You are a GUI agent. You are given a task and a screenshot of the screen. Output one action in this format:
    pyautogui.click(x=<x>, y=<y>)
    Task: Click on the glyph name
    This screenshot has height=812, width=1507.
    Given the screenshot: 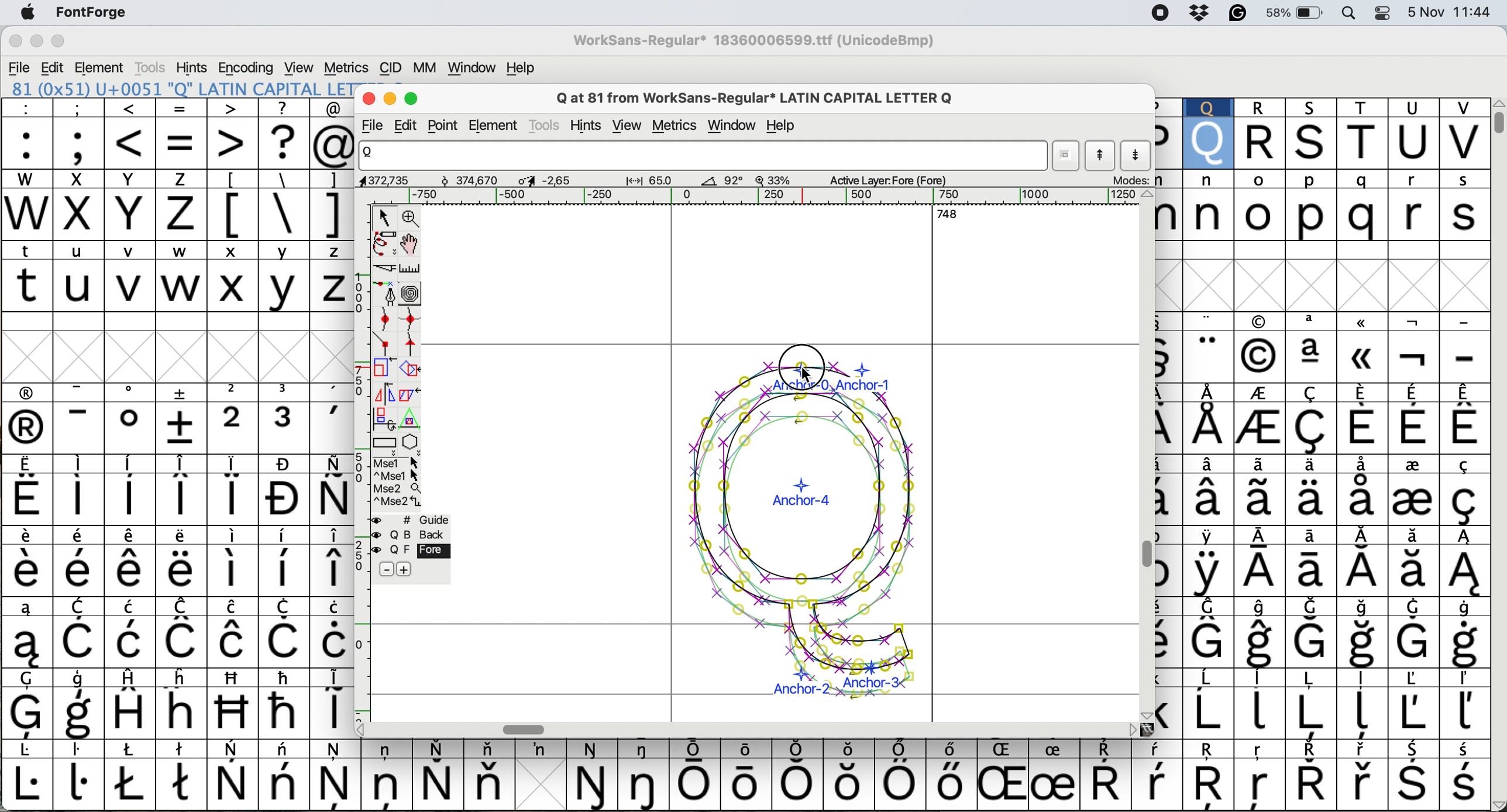 What is the action you would take?
    pyautogui.click(x=704, y=156)
    